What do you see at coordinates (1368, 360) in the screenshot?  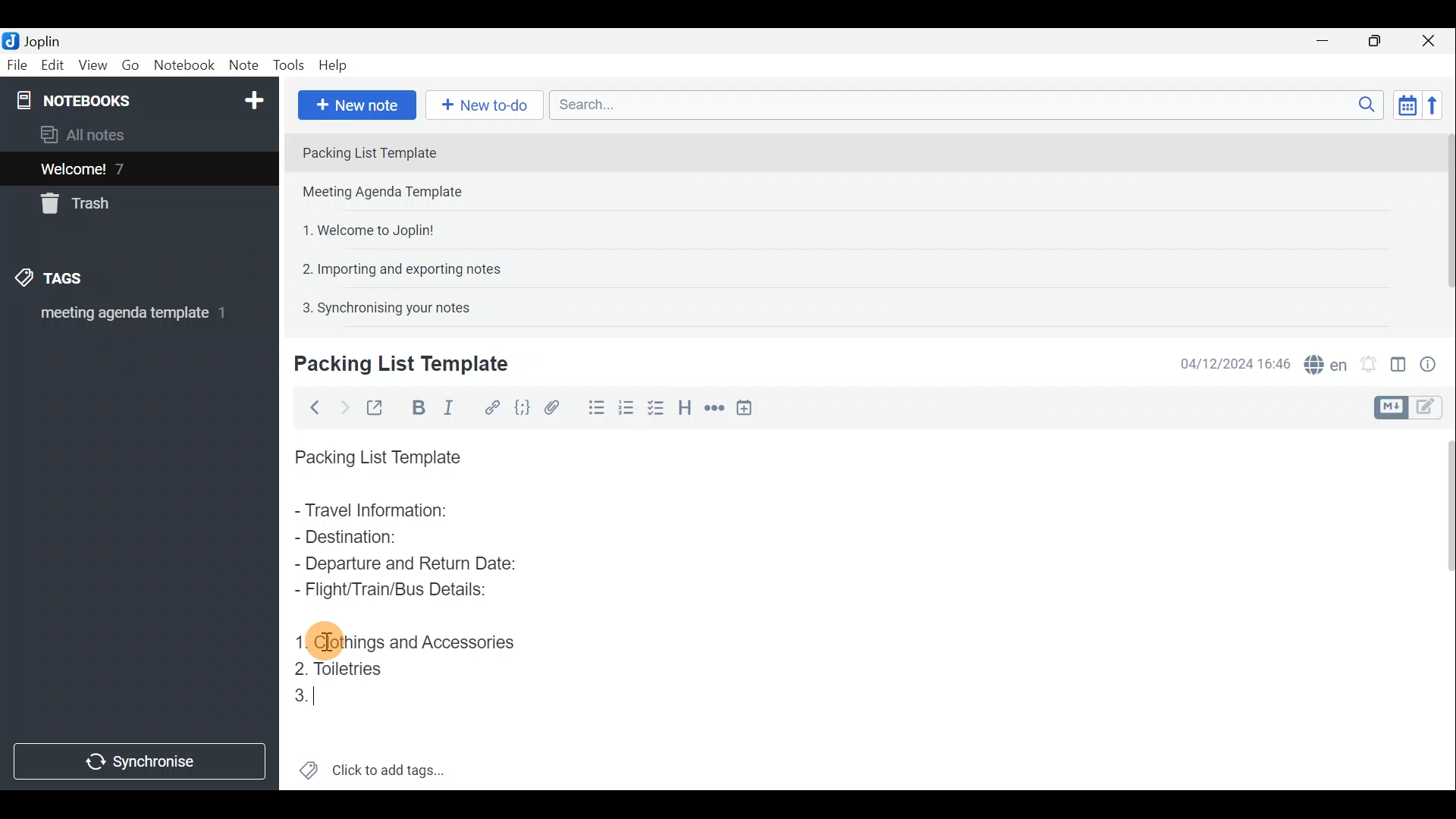 I see `Set alarm` at bounding box center [1368, 360].